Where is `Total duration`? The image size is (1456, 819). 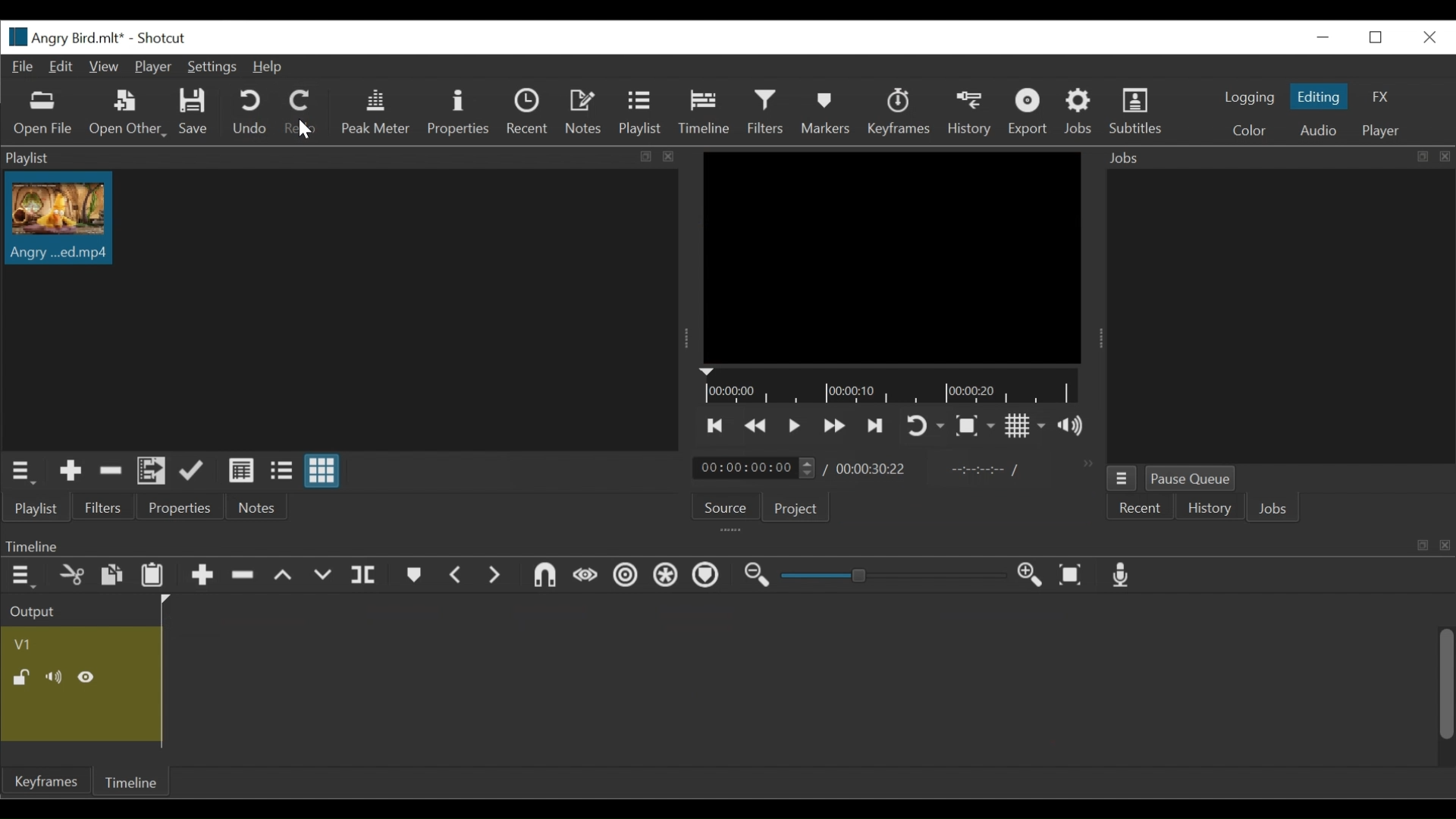 Total duration is located at coordinates (872, 469).